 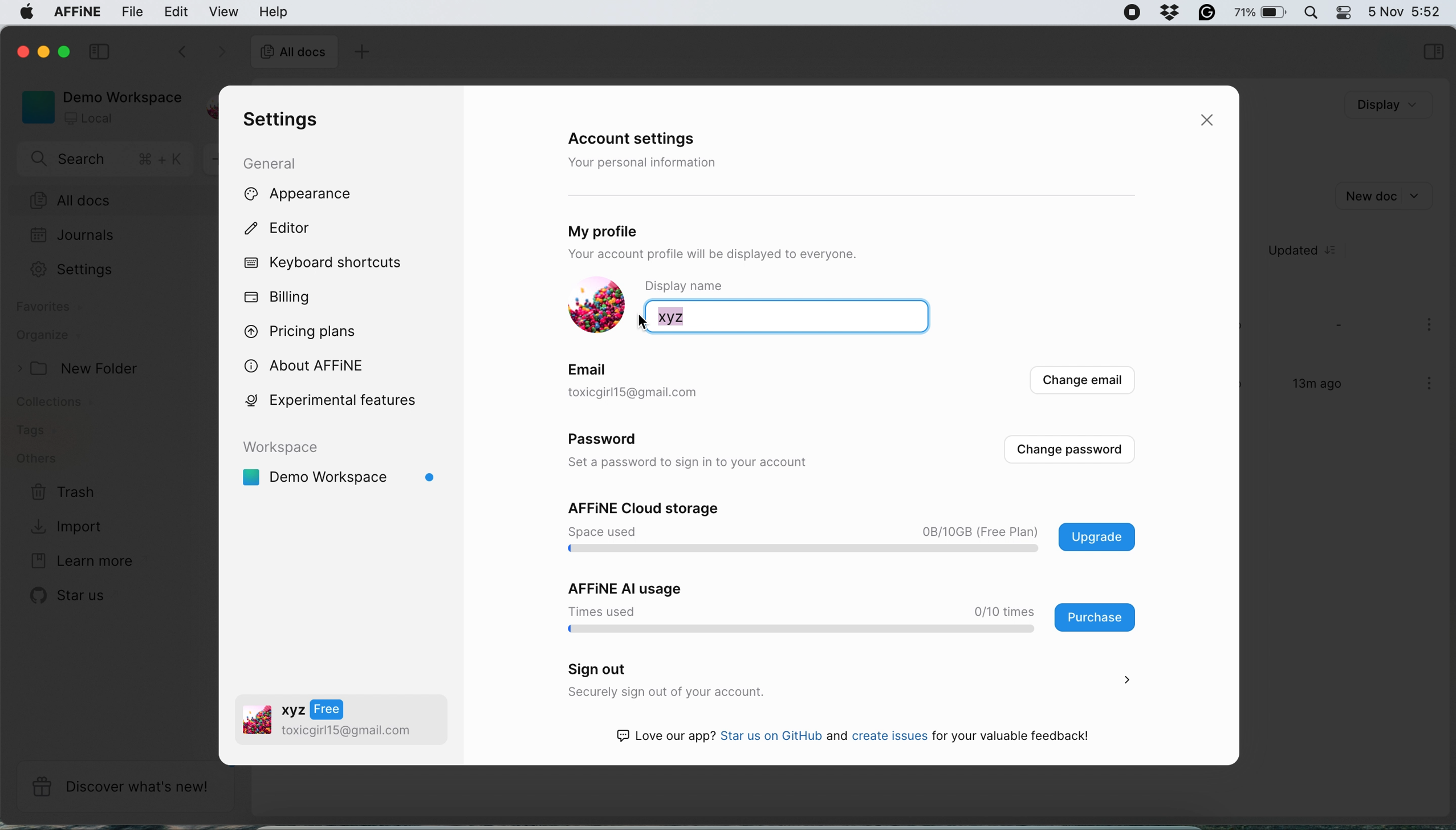 I want to click on general, so click(x=280, y=162).